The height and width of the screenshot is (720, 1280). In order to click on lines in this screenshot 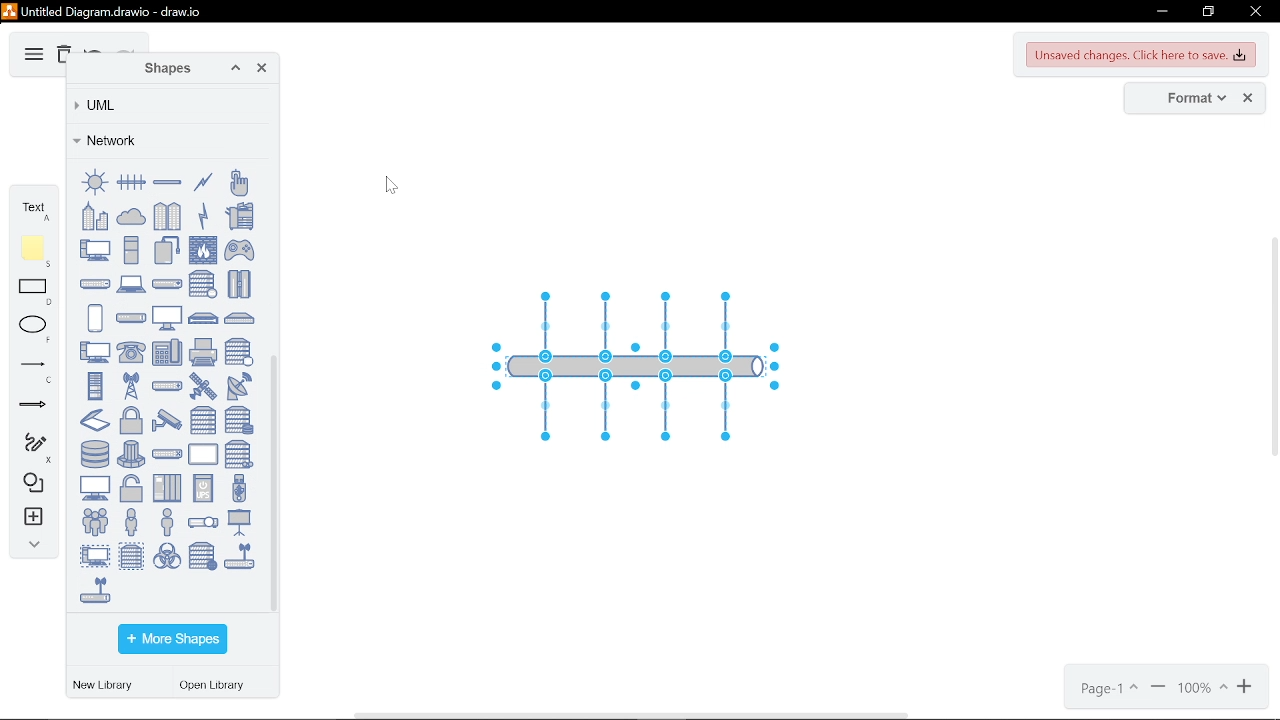, I will do `click(33, 371)`.